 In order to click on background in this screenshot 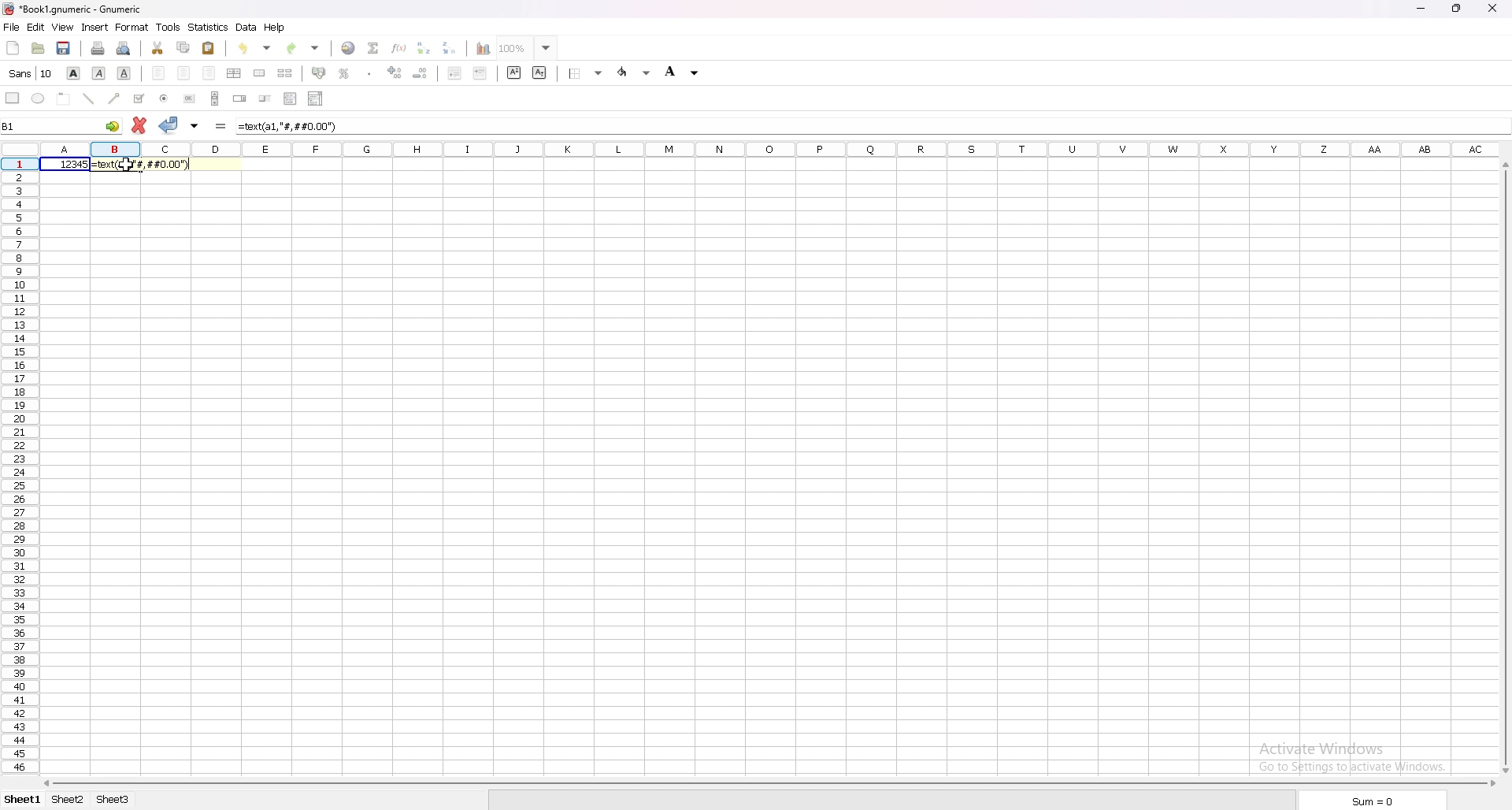, I will do `click(684, 71)`.